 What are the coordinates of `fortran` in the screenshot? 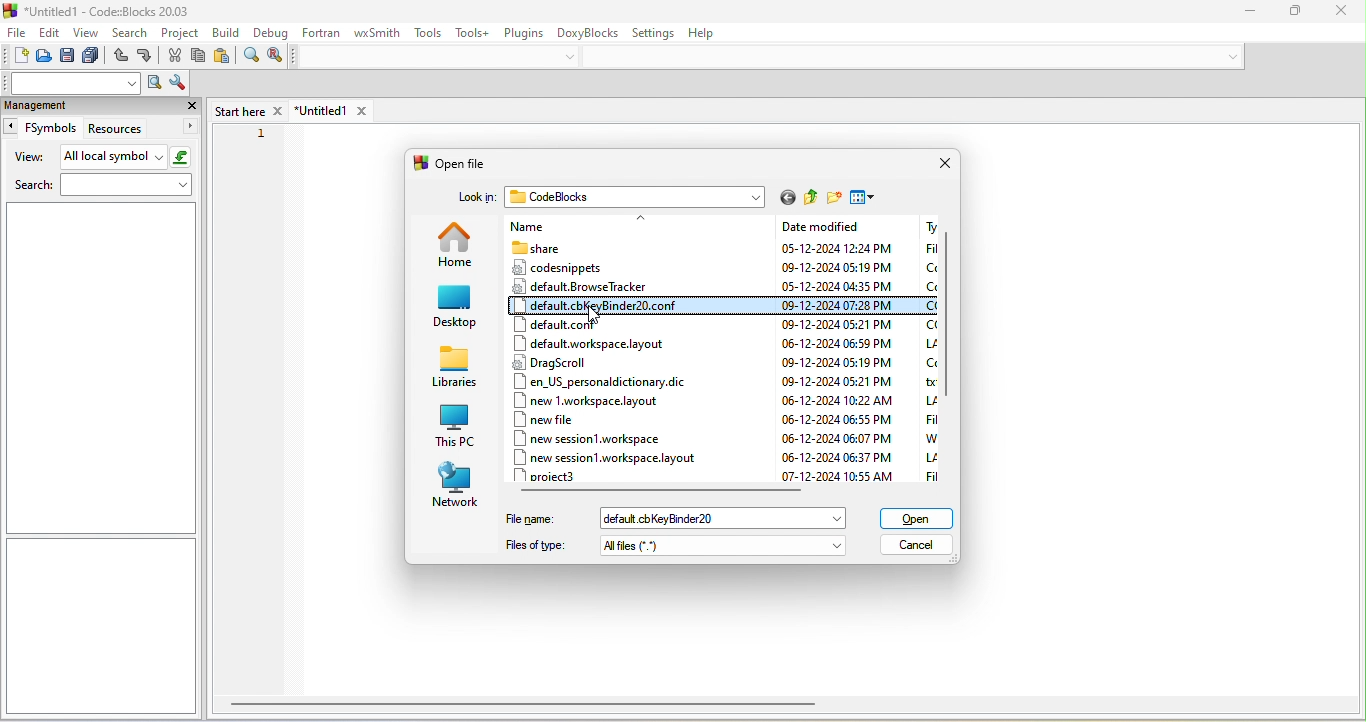 It's located at (324, 35).